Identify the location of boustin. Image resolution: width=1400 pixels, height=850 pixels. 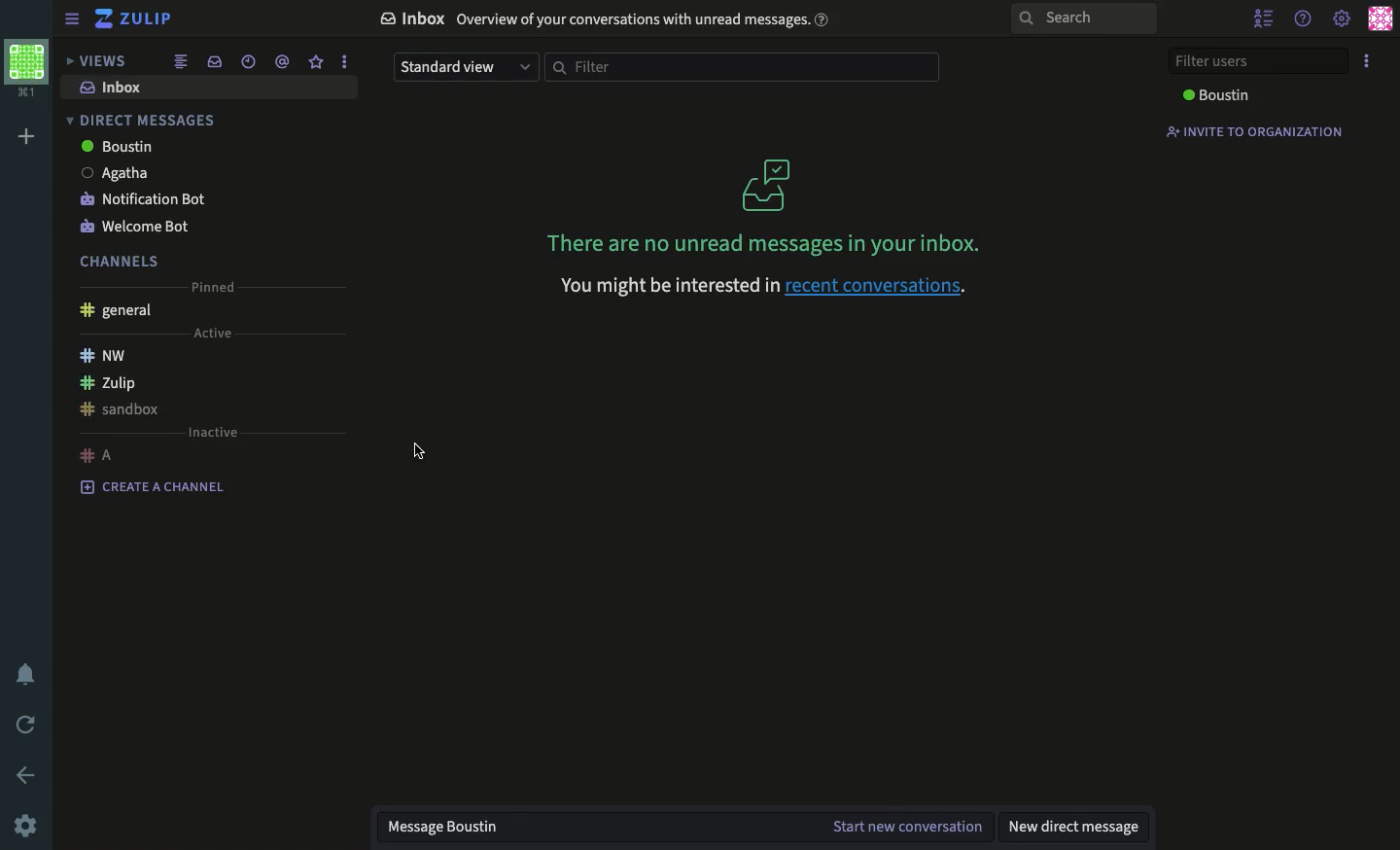
(1213, 96).